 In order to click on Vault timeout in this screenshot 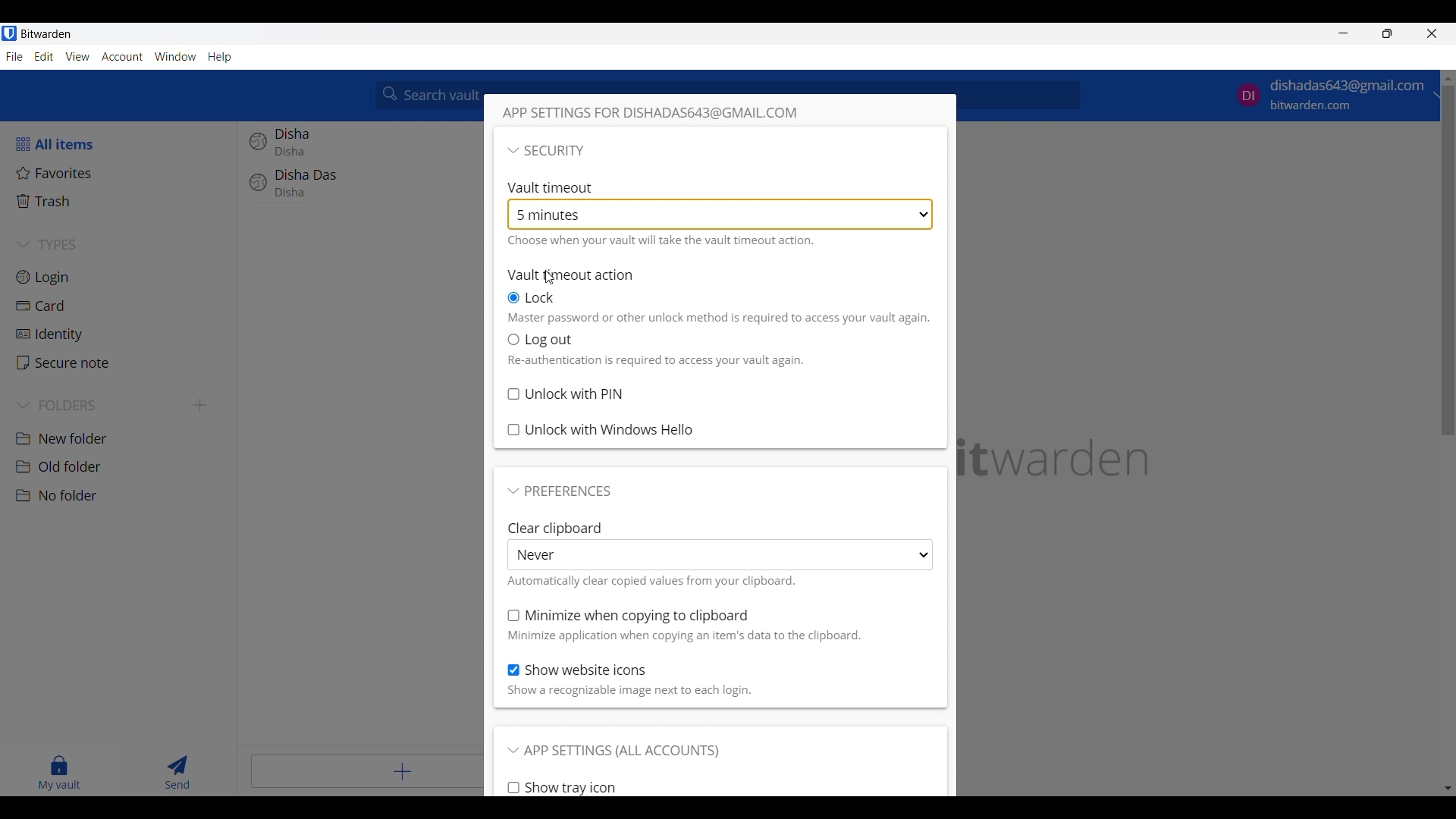, I will do `click(554, 187)`.